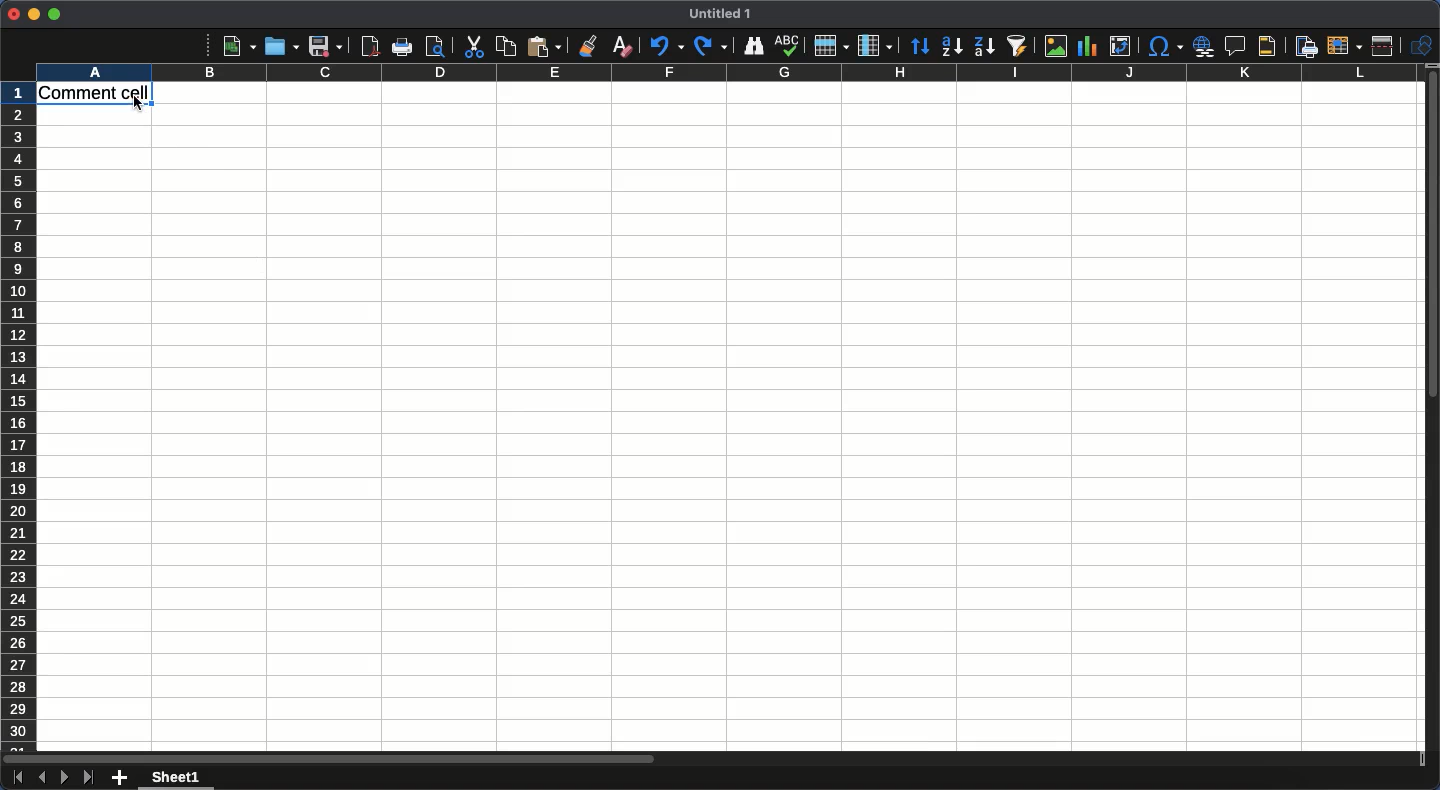 This screenshot has height=790, width=1440. What do you see at coordinates (1424, 45) in the screenshot?
I see `Shapes` at bounding box center [1424, 45].